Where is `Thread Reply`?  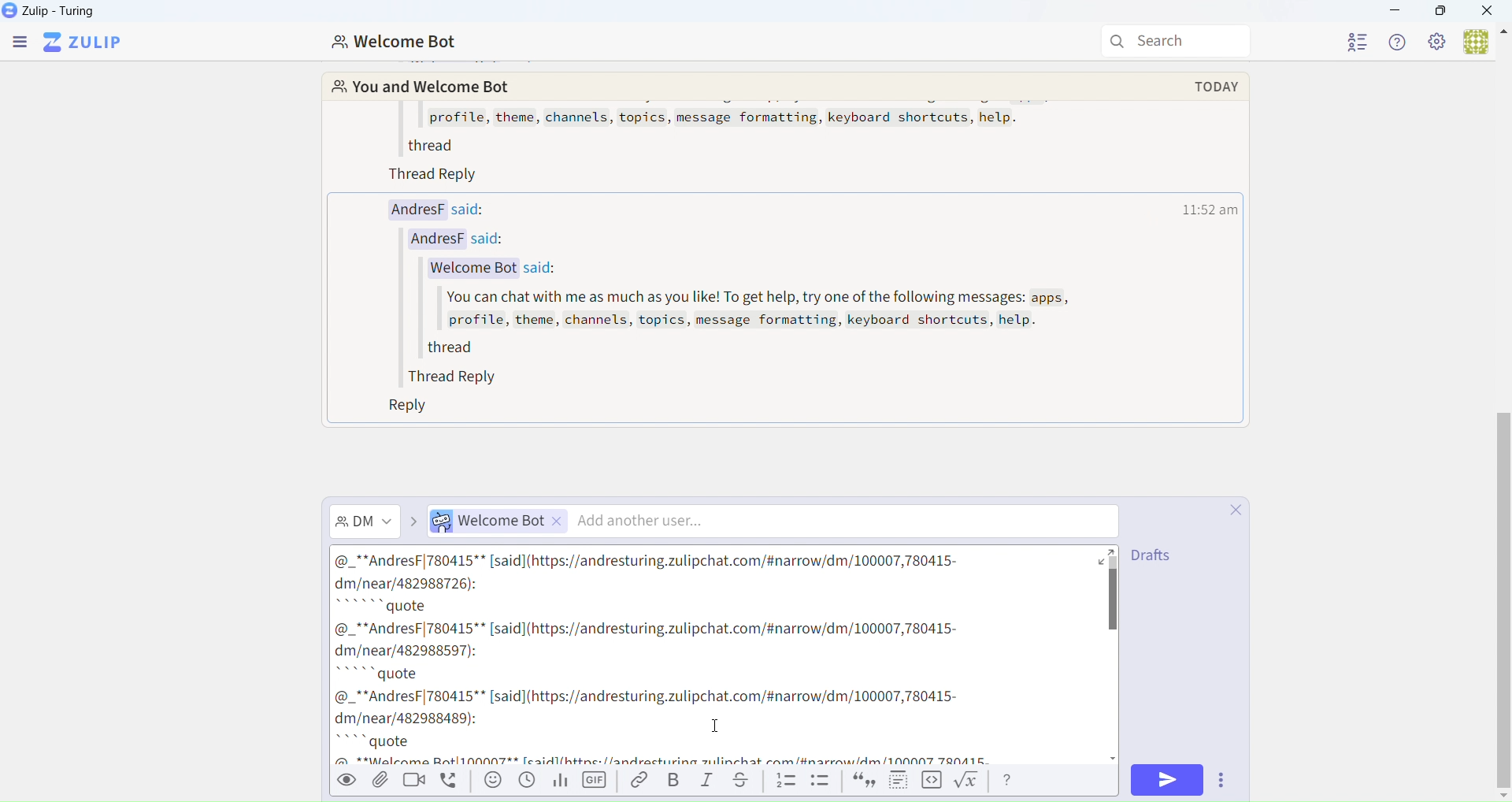 Thread Reply is located at coordinates (445, 377).